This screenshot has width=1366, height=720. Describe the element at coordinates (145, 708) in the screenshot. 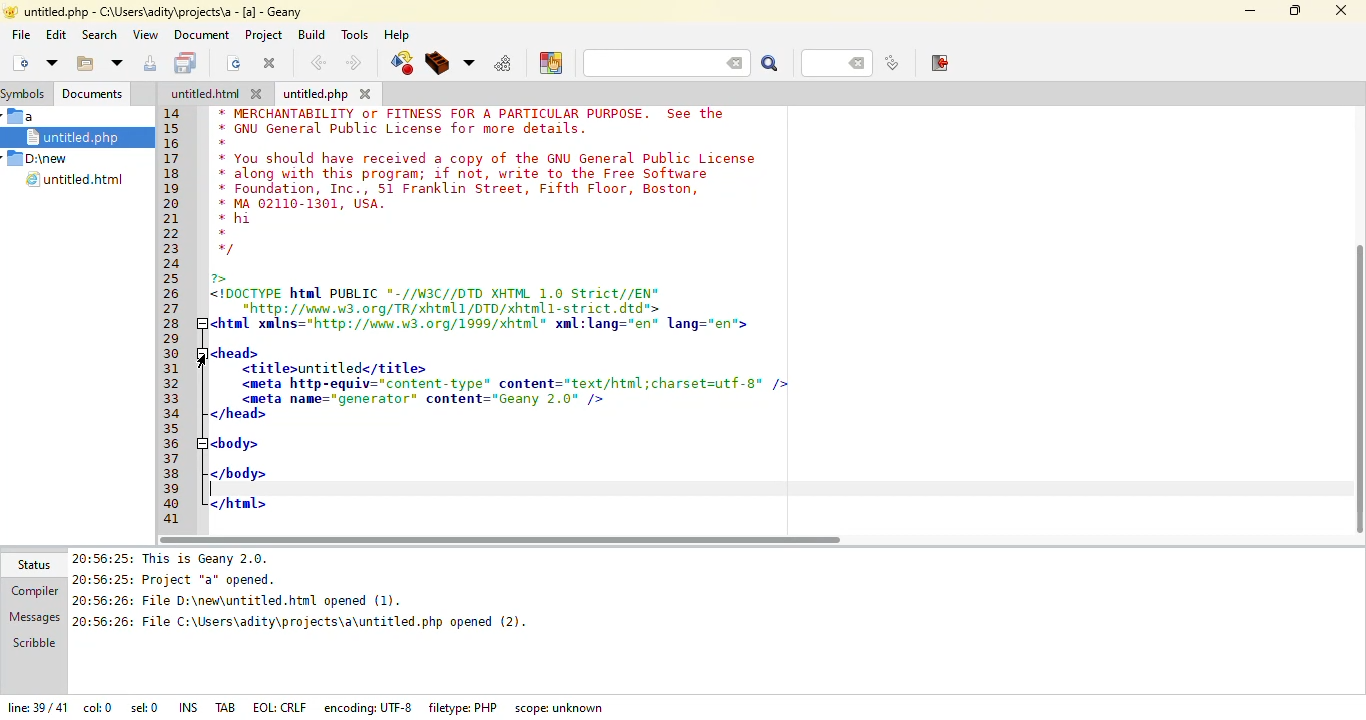

I see `sel: 0` at that location.